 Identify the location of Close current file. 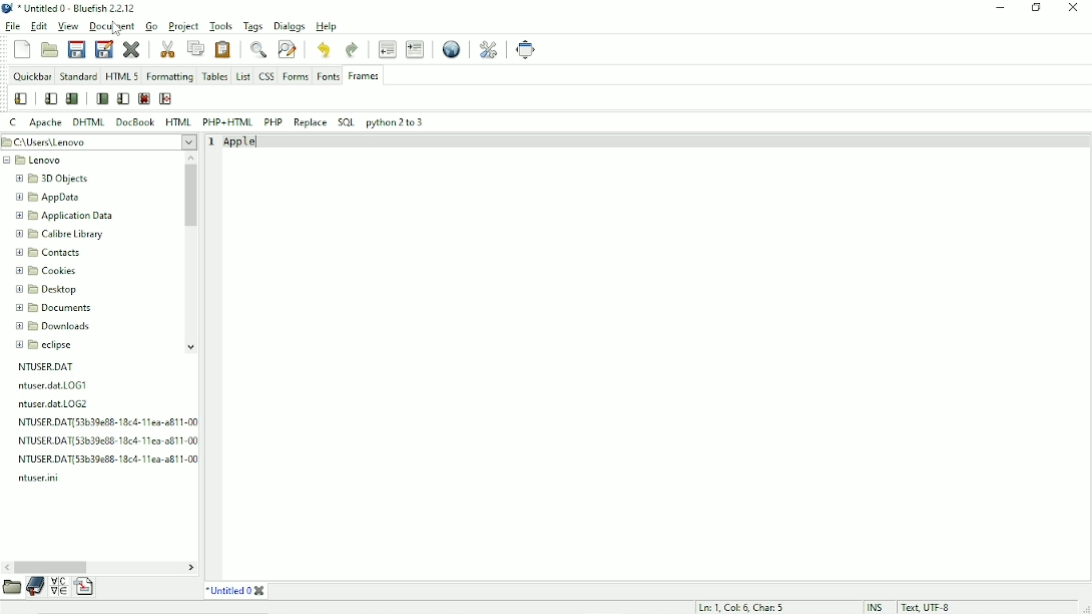
(131, 48).